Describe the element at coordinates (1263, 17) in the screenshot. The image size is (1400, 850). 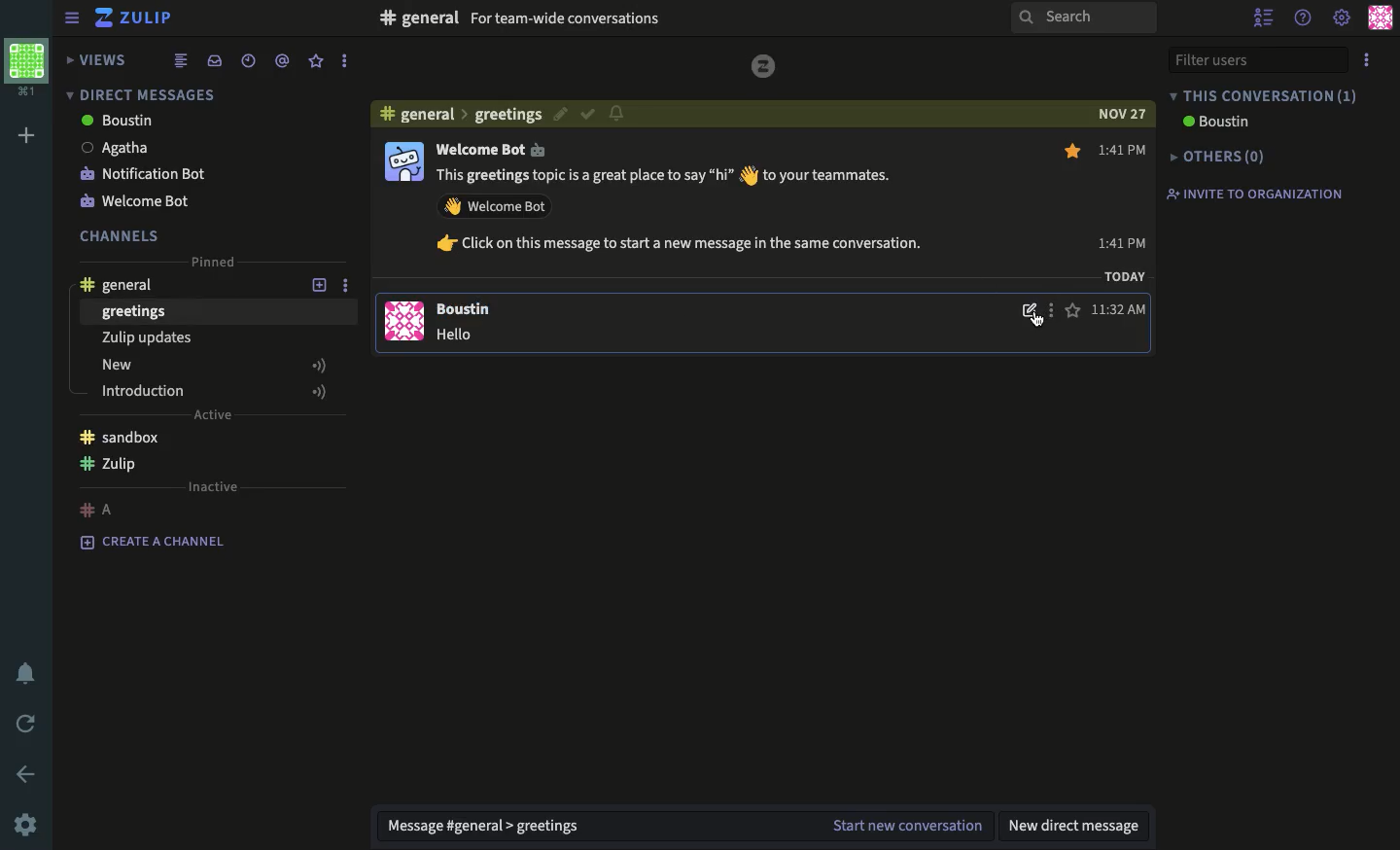
I see `hide user list` at that location.